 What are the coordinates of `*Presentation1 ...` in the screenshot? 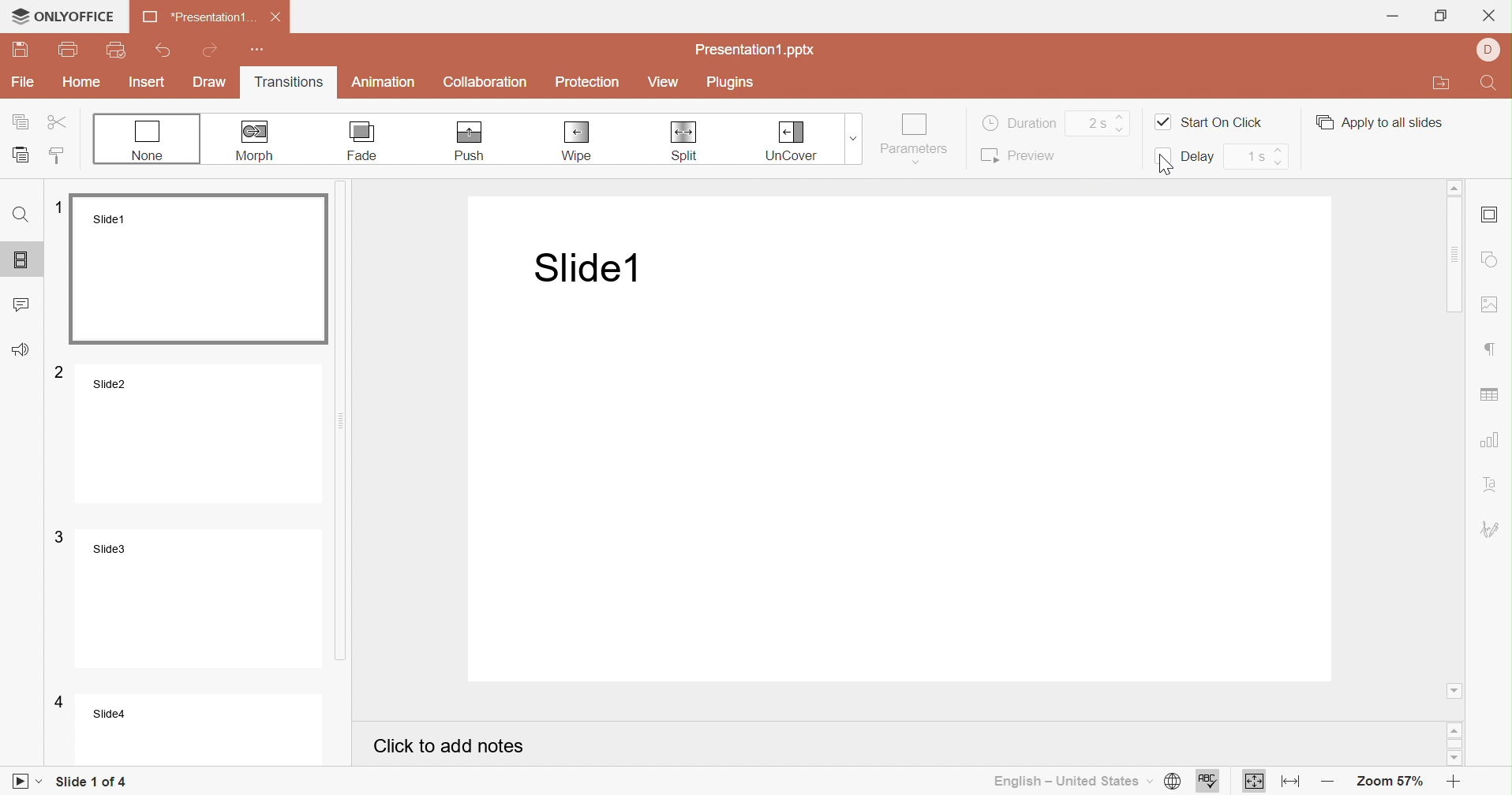 It's located at (196, 18).